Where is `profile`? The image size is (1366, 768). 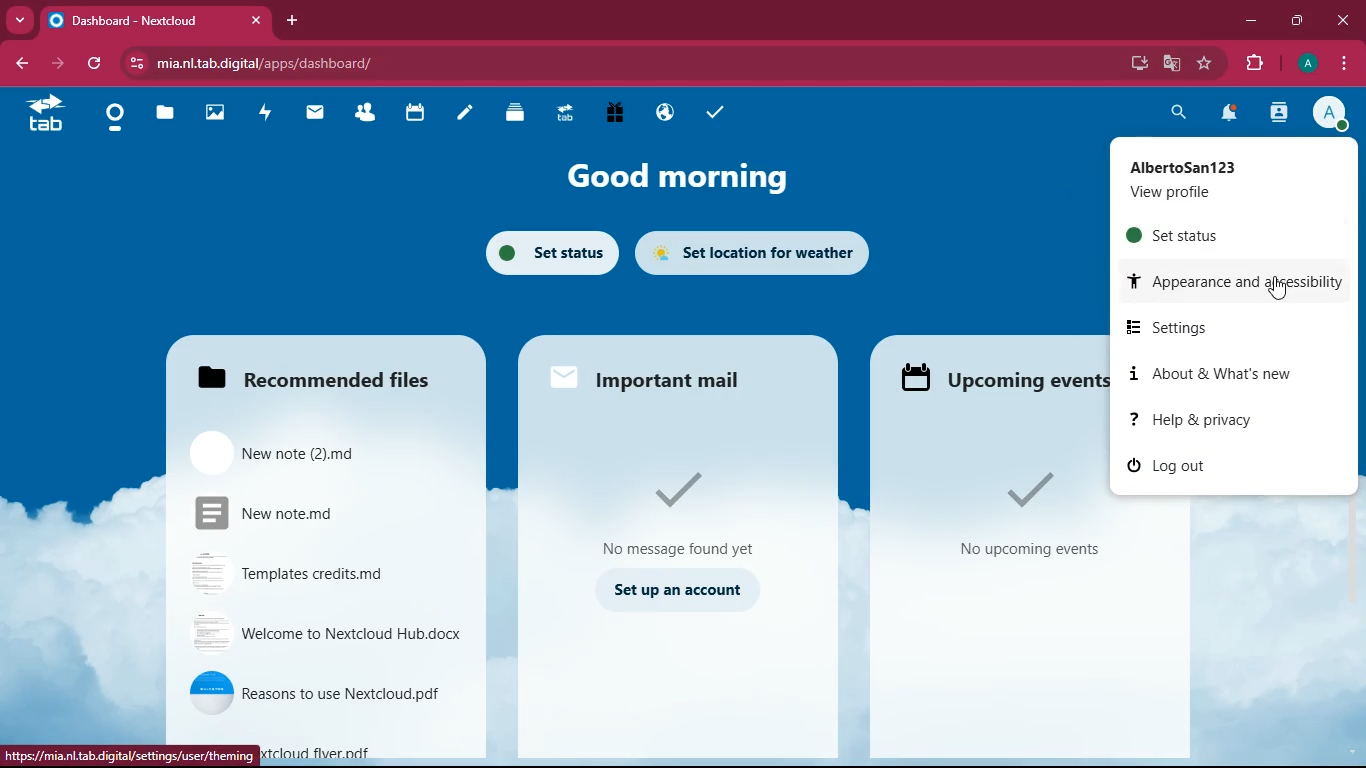
profile is located at coordinates (1221, 177).